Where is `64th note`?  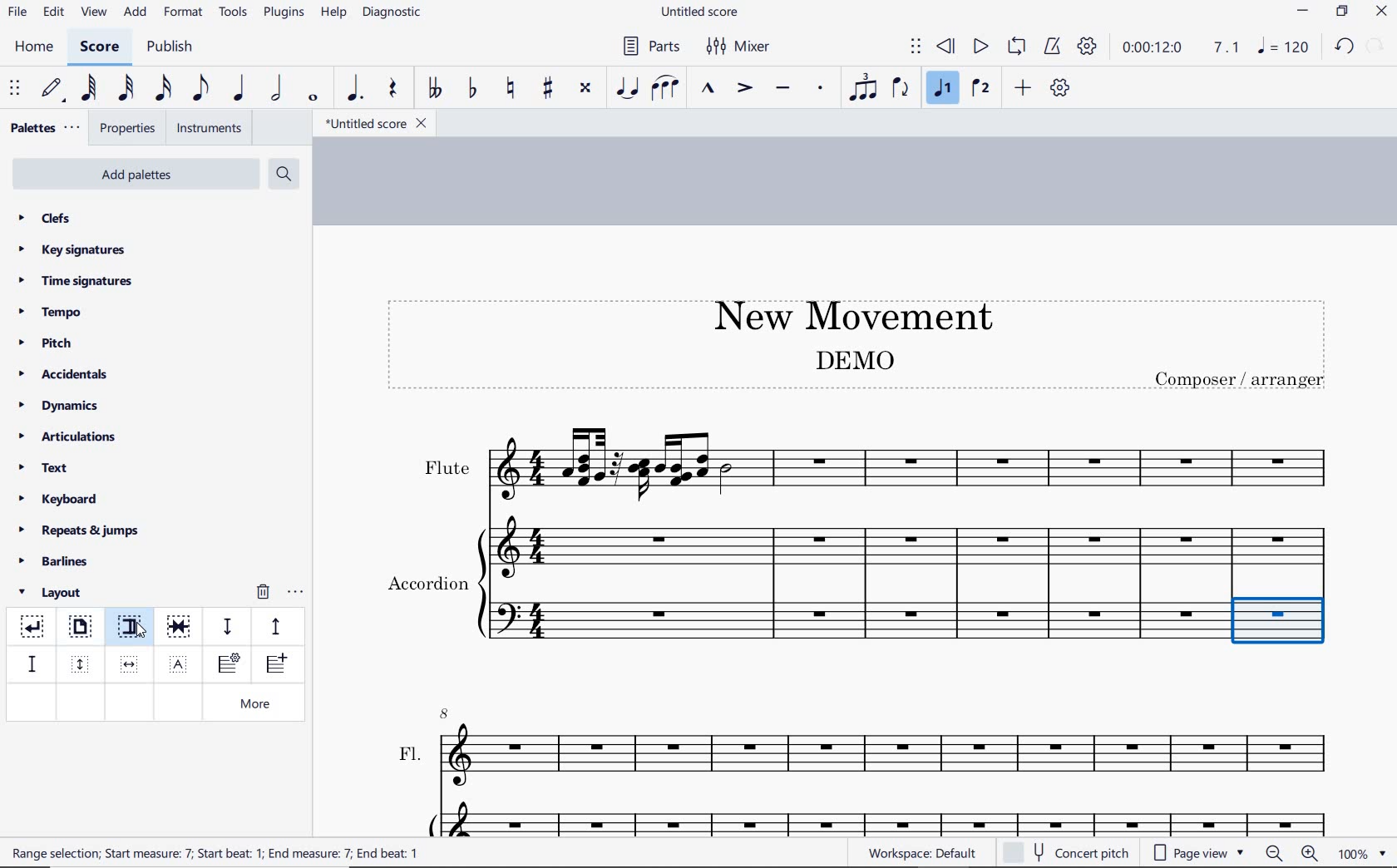
64th note is located at coordinates (91, 88).